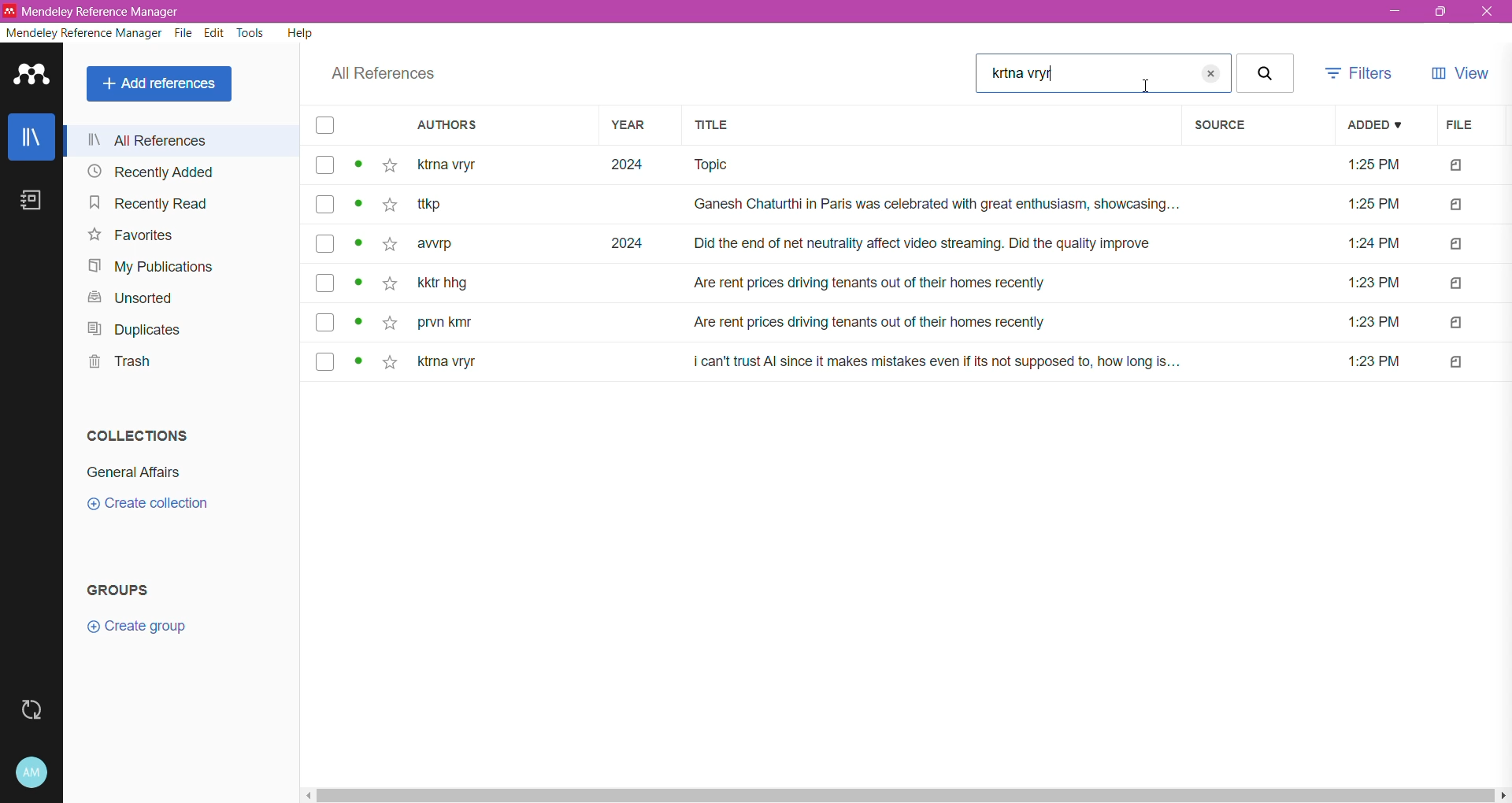 This screenshot has height=803, width=1512. Describe the element at coordinates (393, 362) in the screenshot. I see `click here to add to favourites` at that location.